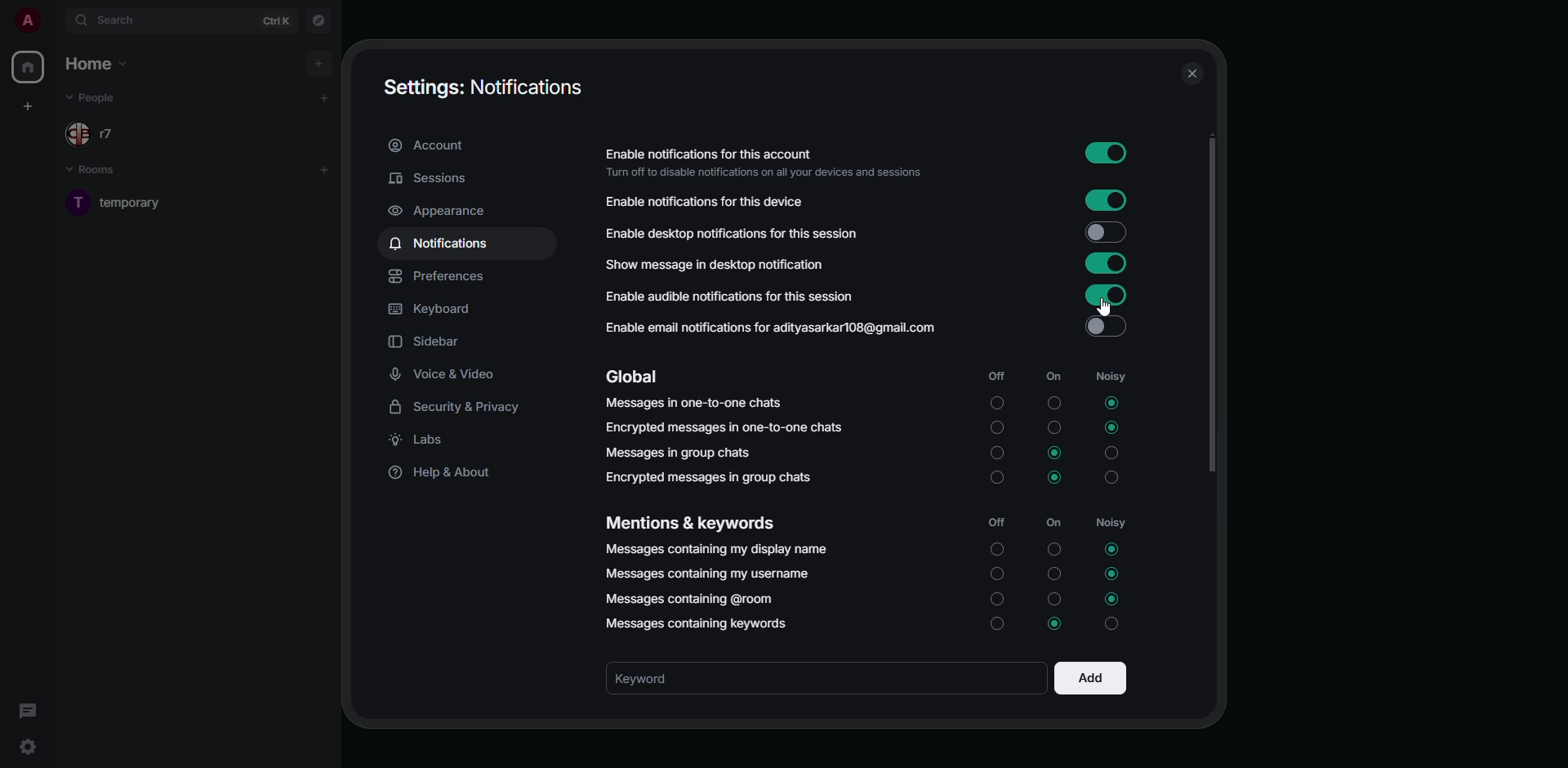 The height and width of the screenshot is (768, 1568). What do you see at coordinates (996, 428) in the screenshot?
I see `off` at bounding box center [996, 428].